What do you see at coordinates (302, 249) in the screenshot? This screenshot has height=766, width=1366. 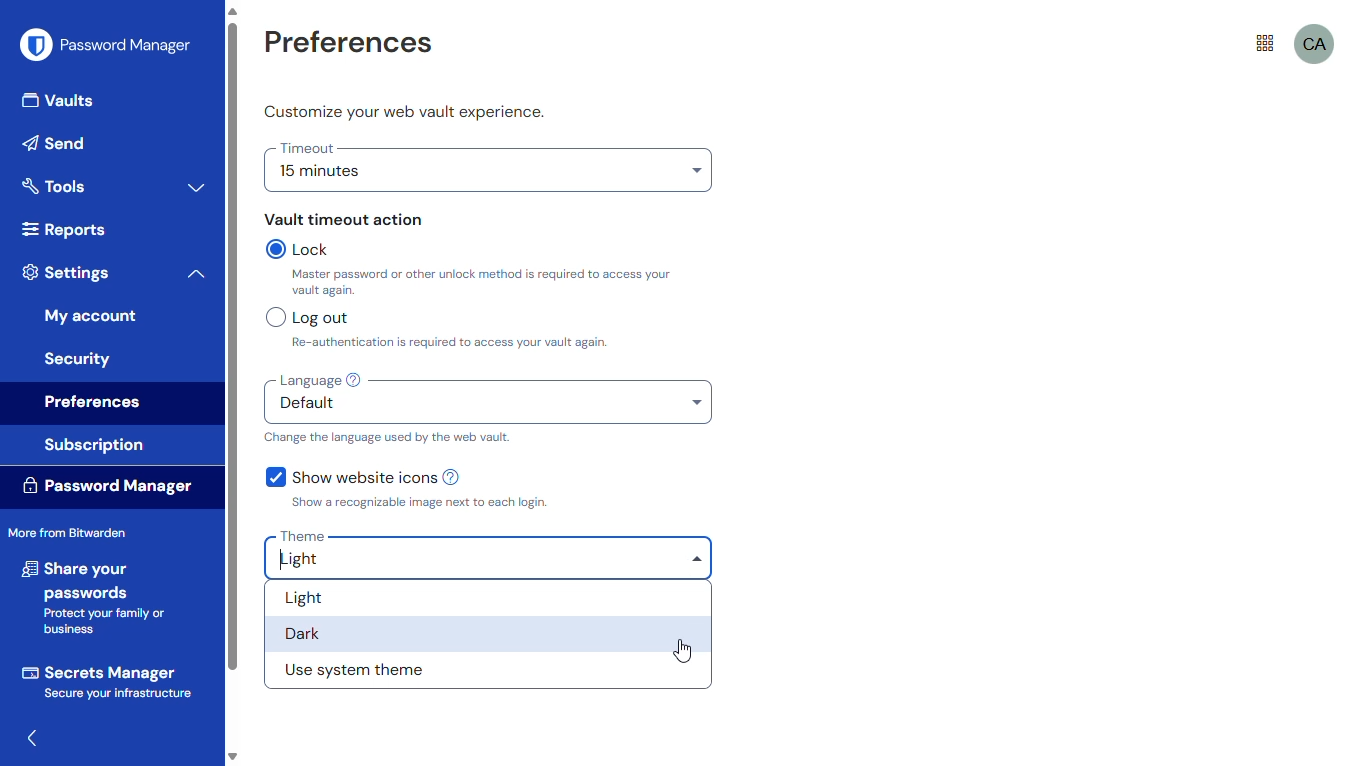 I see `lock` at bounding box center [302, 249].